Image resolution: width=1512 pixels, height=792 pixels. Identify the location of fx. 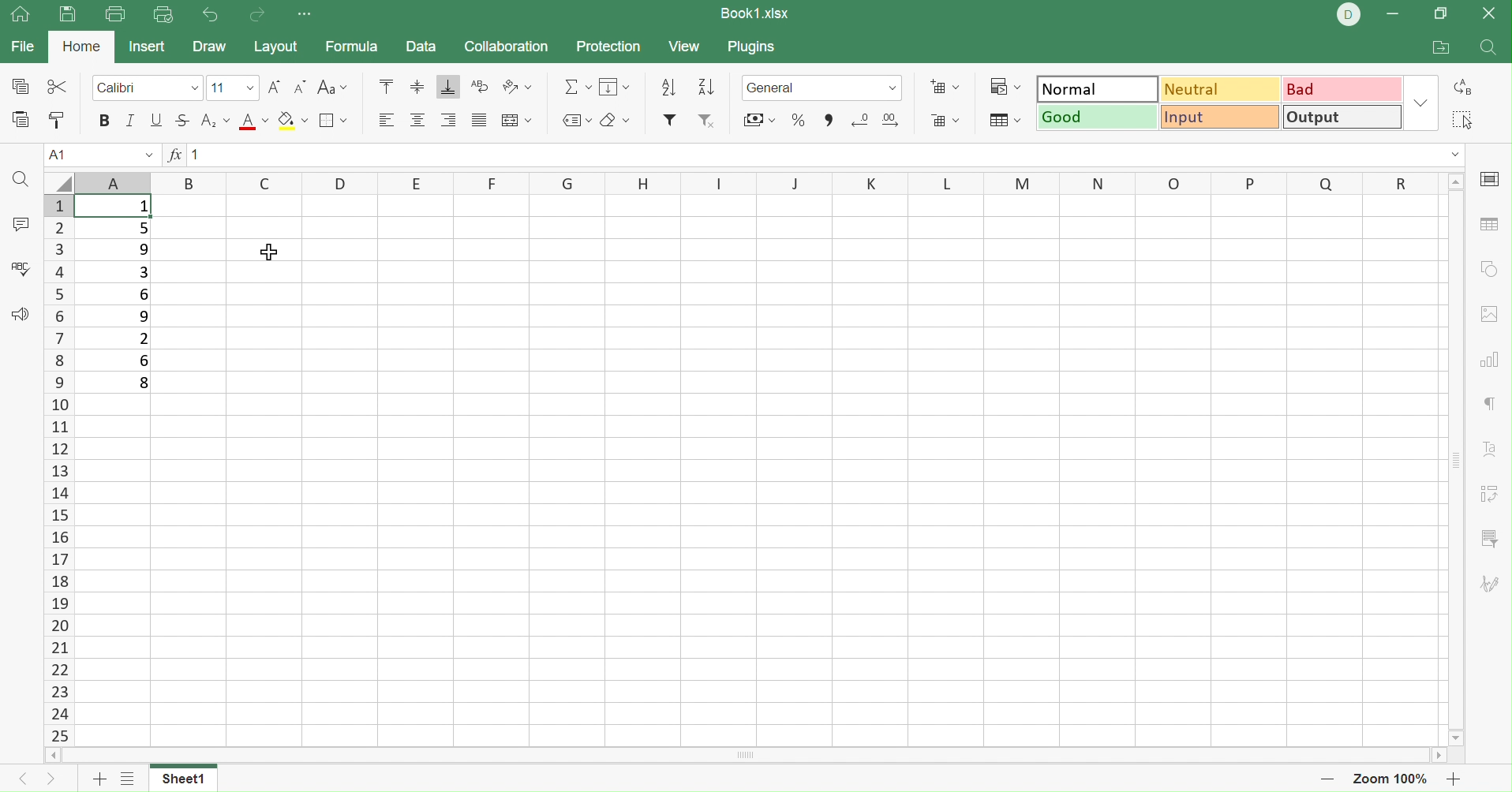
(173, 155).